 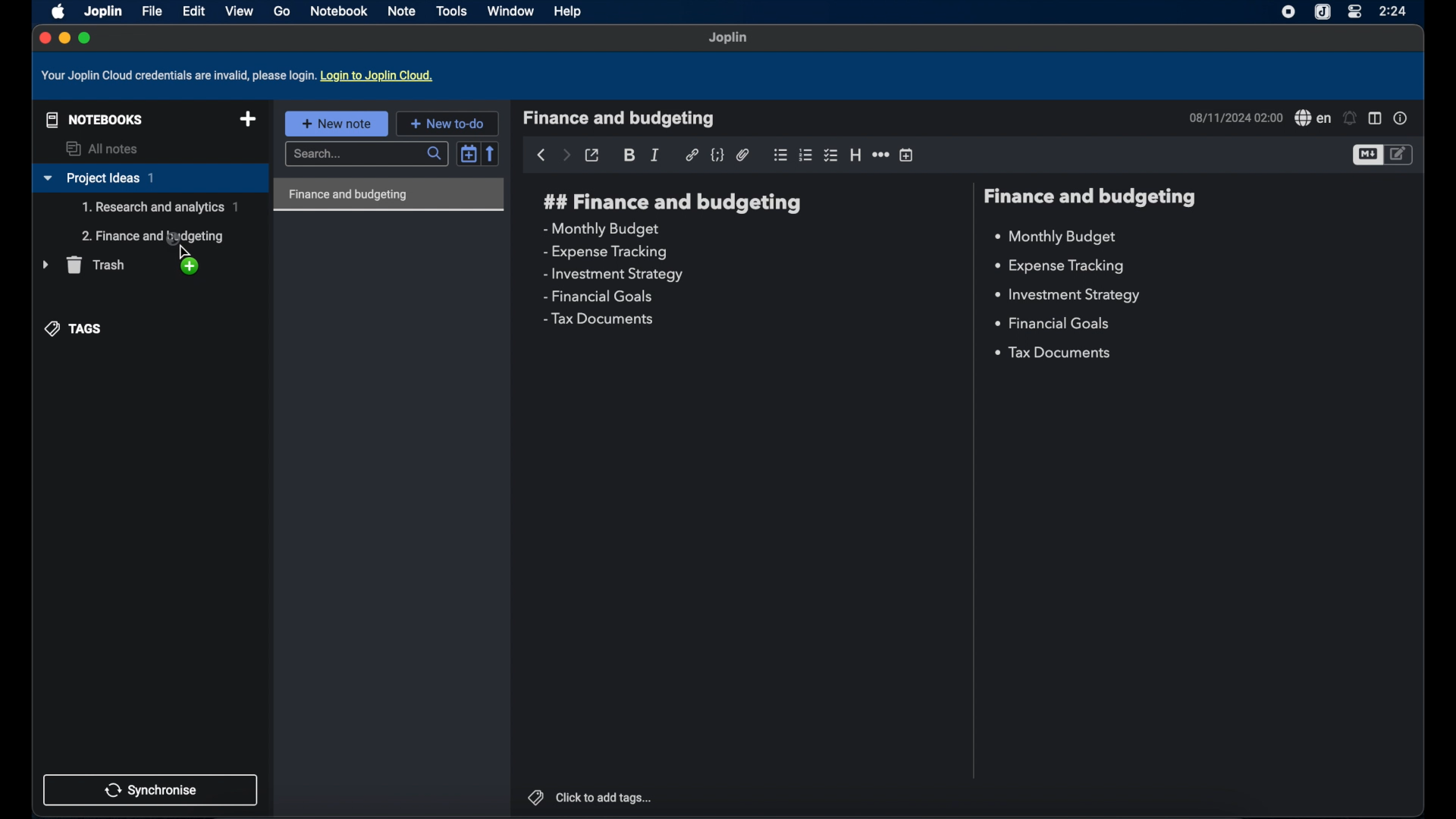 I want to click on toggle editor, so click(x=1401, y=154).